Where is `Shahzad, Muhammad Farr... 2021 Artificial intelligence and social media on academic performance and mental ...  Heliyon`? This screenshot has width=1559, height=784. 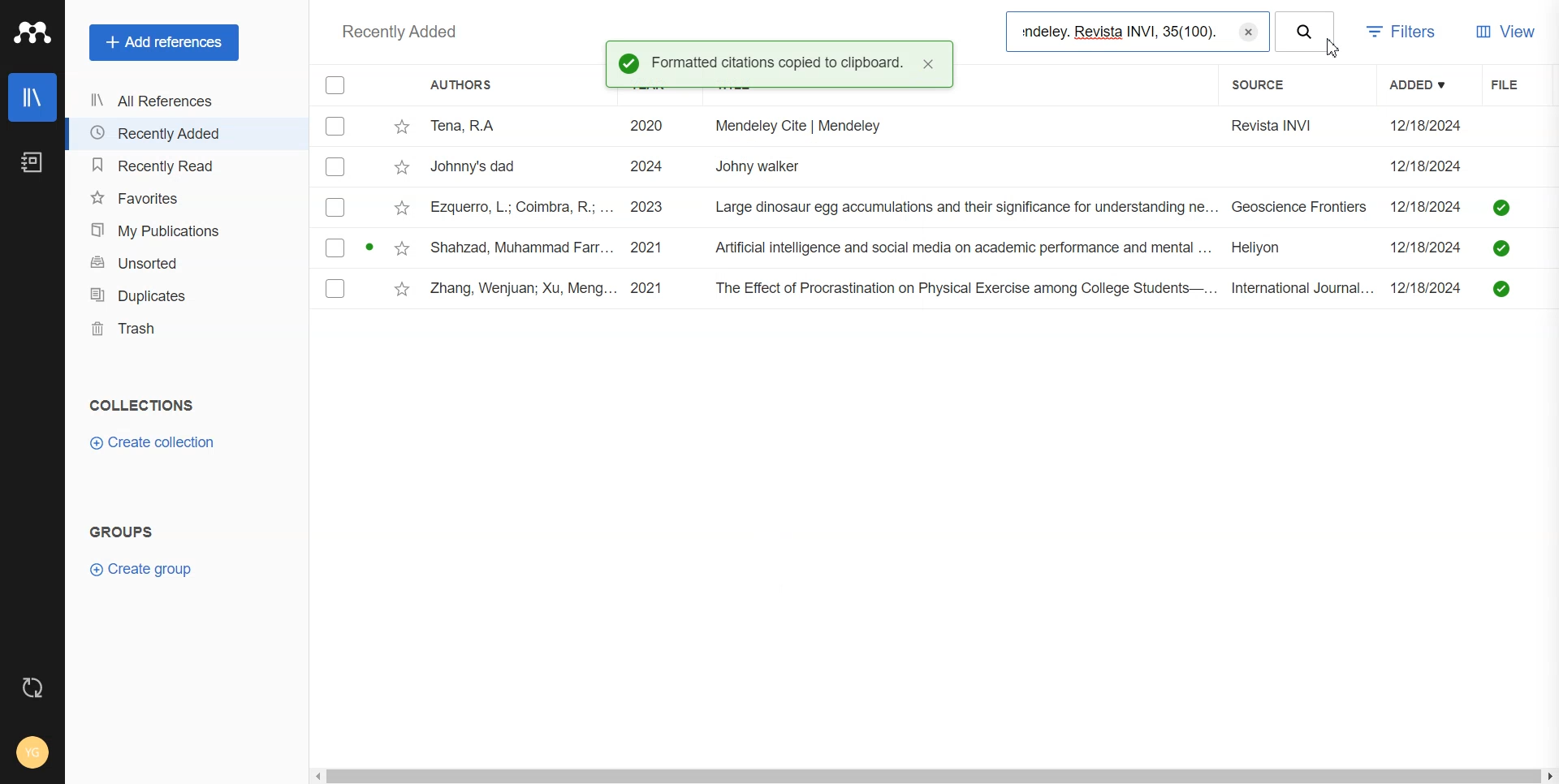
Shahzad, Muhammad Farr... 2021 Artificial intelligence and social media on academic performance and mental ...  Heliyon is located at coordinates (900, 247).